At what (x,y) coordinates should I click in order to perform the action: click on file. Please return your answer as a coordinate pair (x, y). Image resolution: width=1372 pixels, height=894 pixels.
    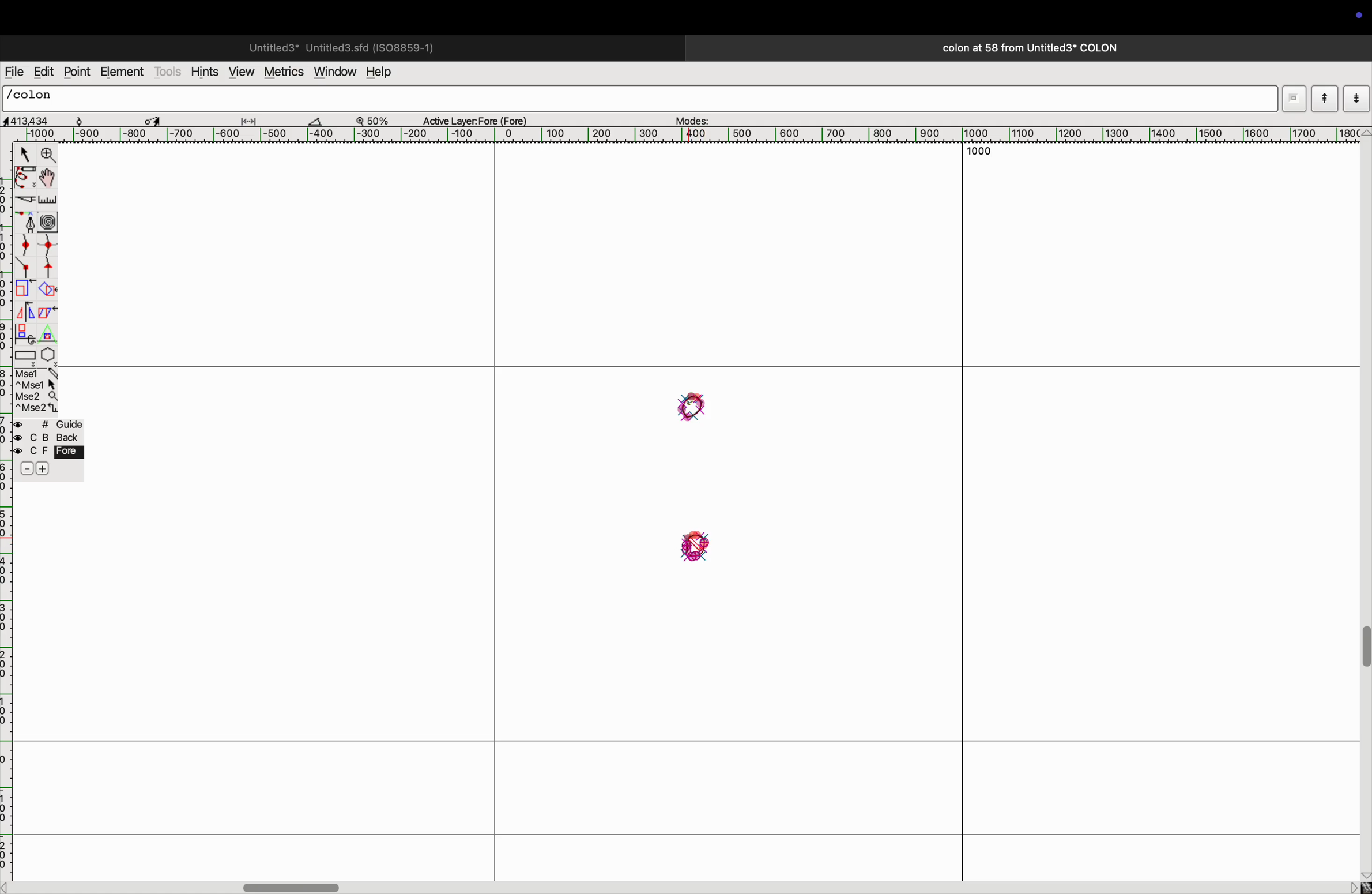
    Looking at the image, I should click on (14, 72).